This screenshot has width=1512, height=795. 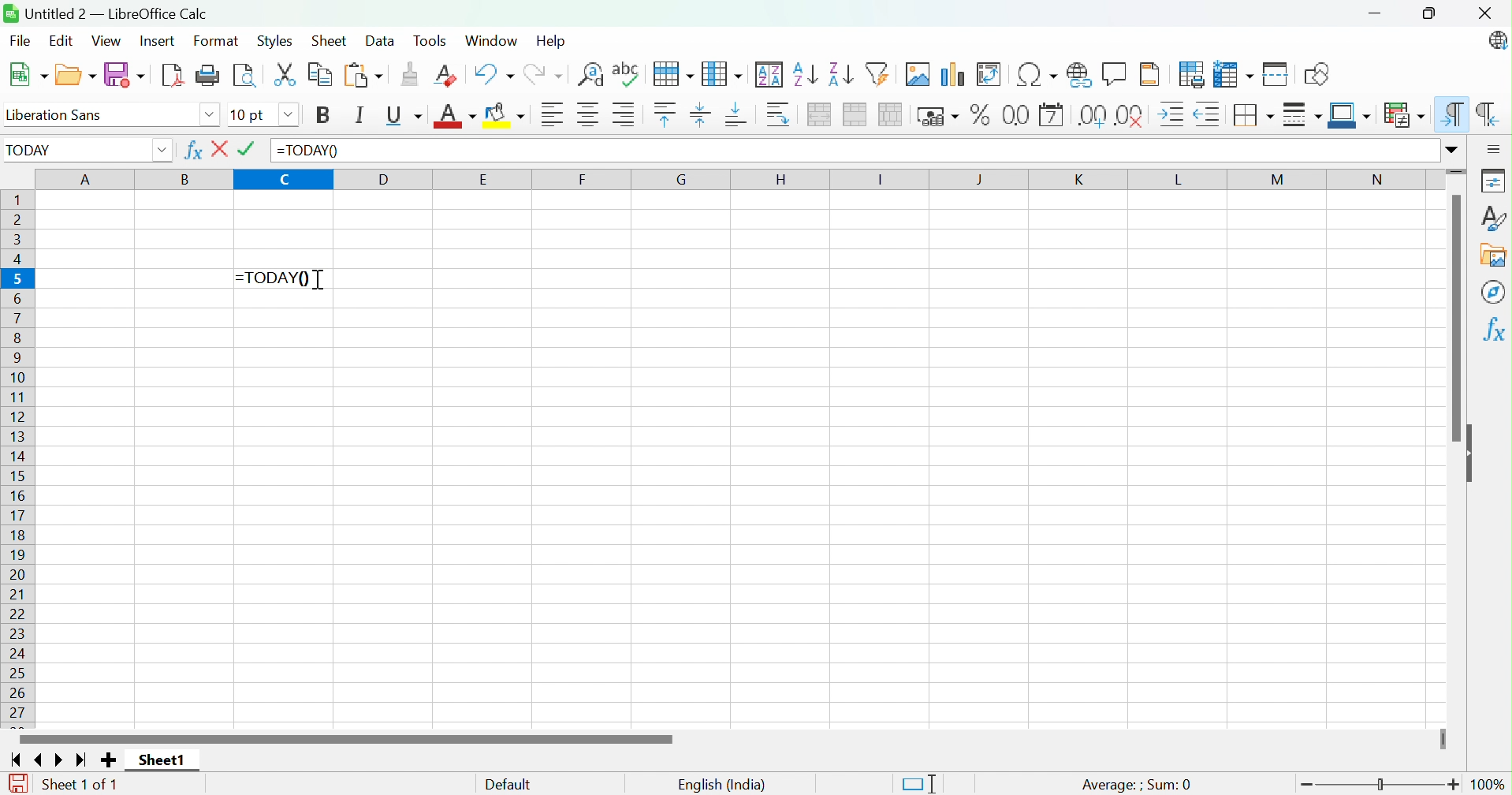 I want to click on Minimize, so click(x=1373, y=15).